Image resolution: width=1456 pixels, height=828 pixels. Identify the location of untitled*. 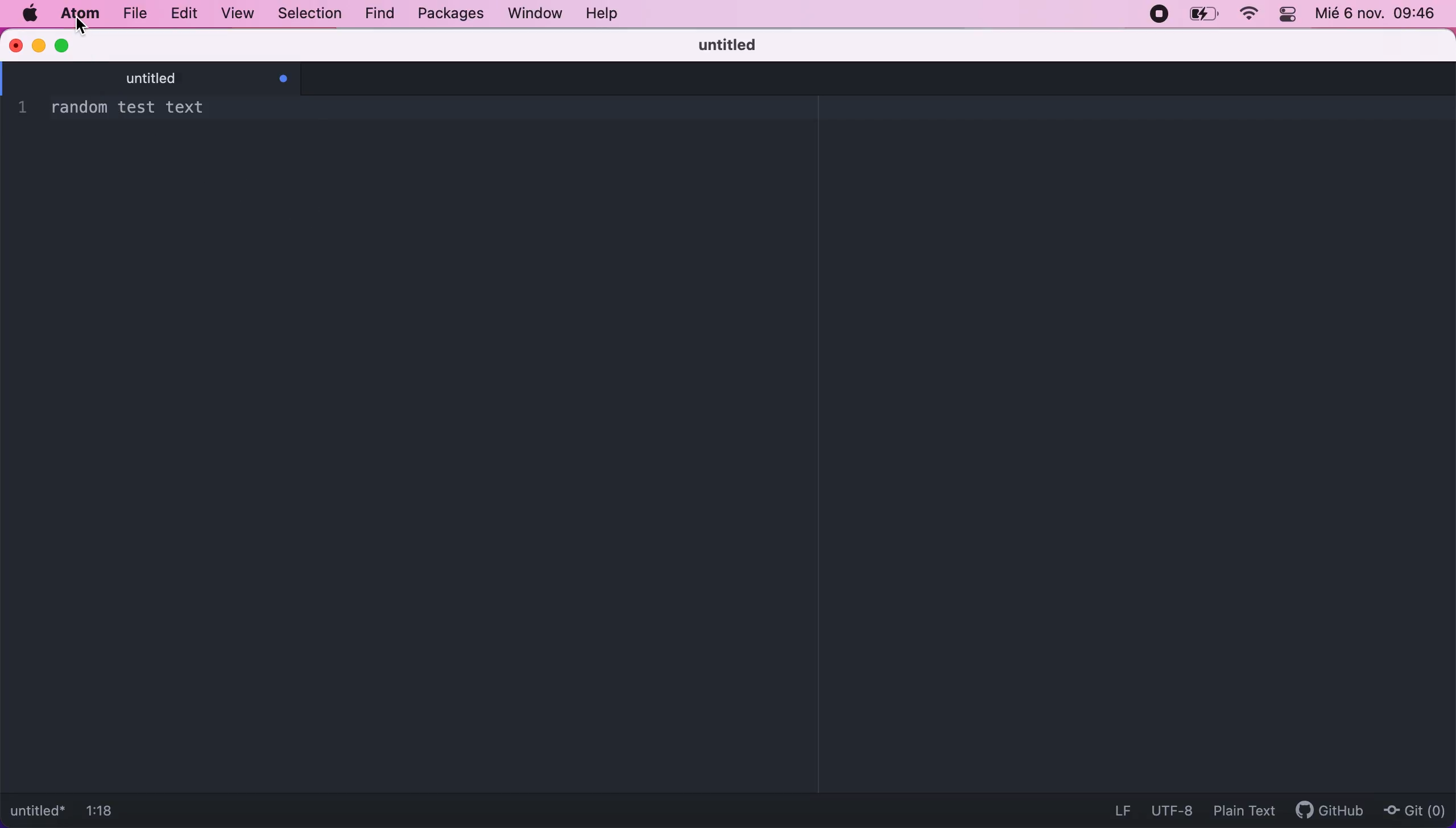
(36, 811).